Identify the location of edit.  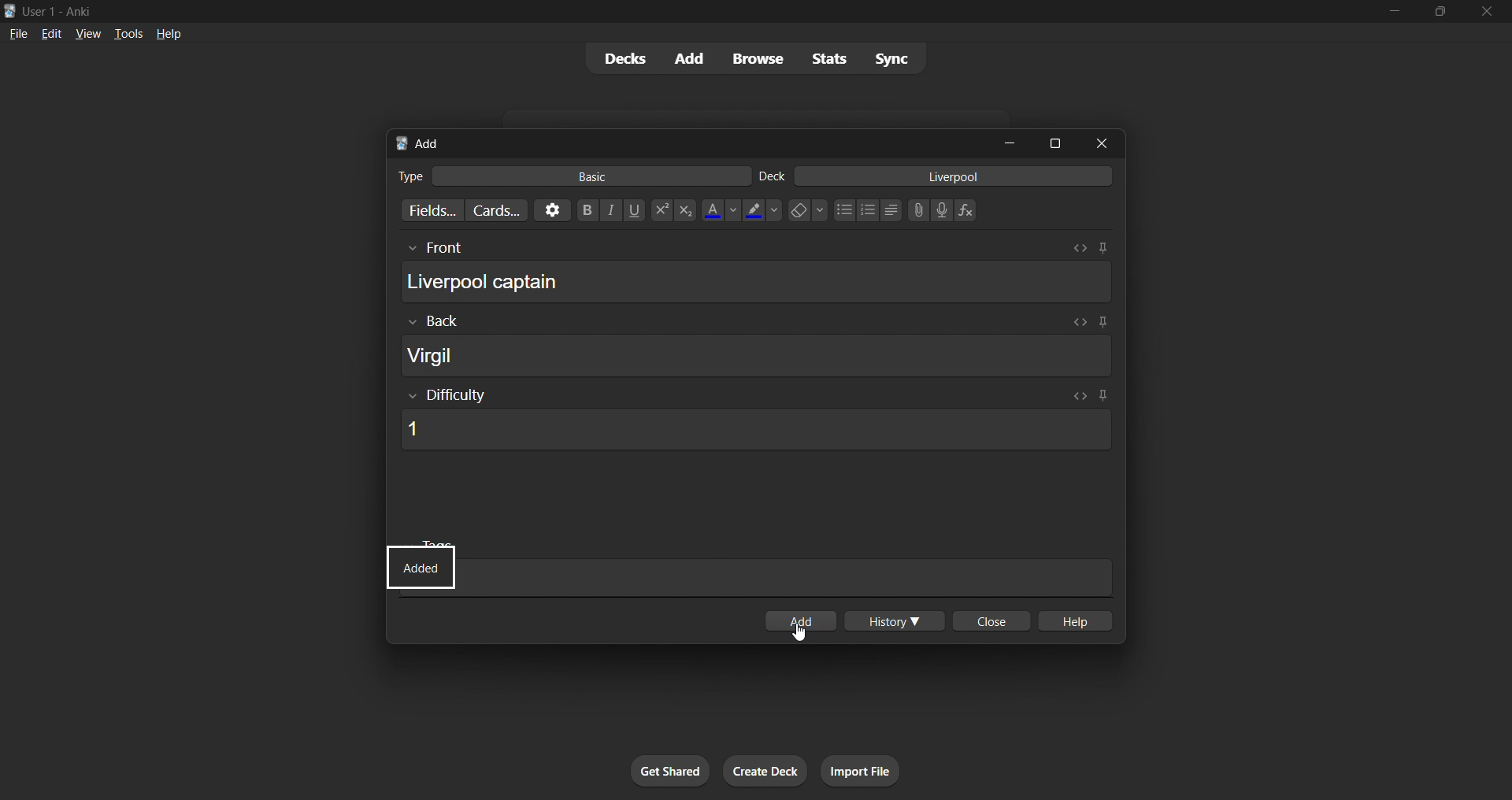
(52, 33).